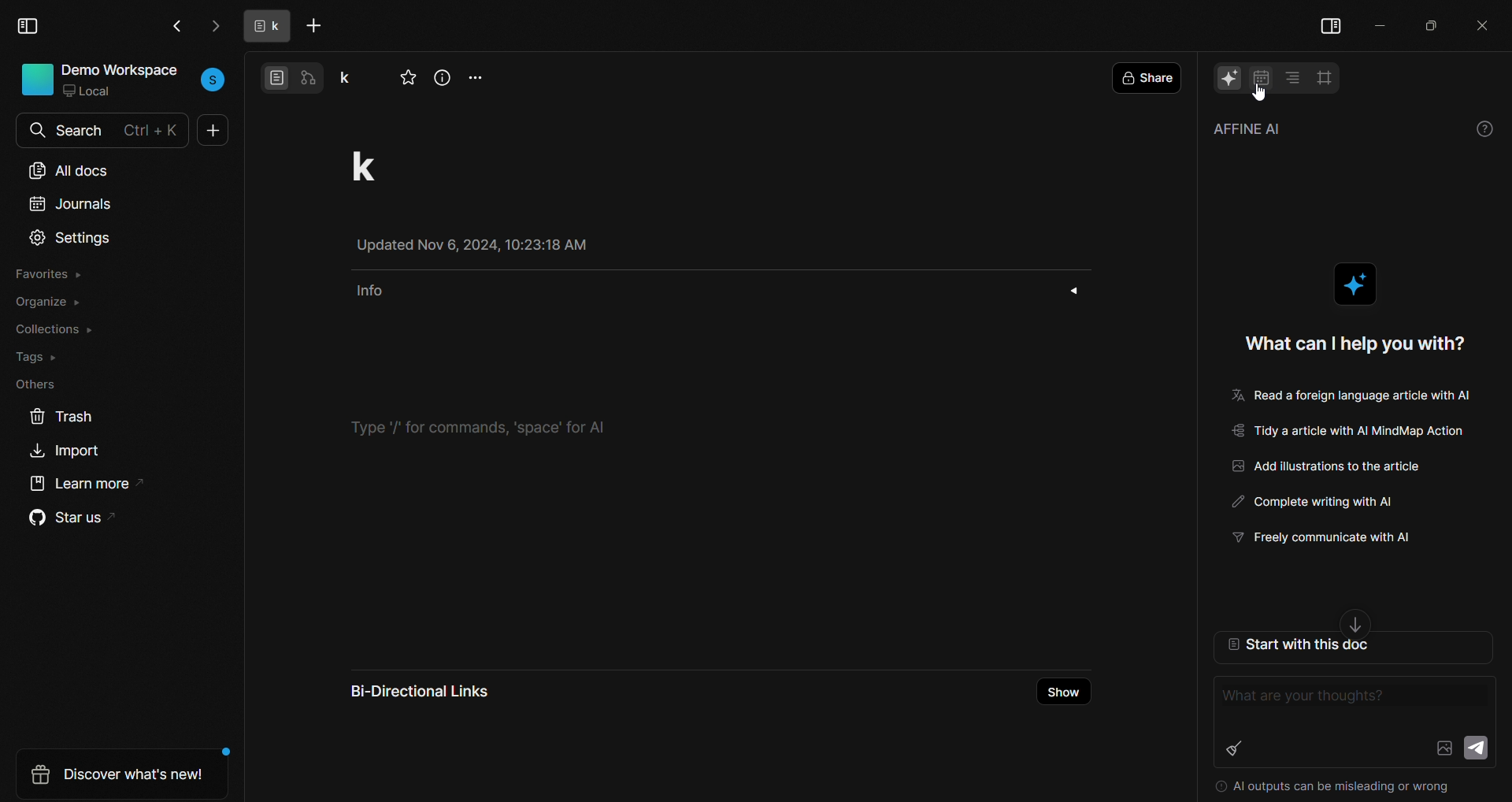 This screenshot has width=1512, height=802. Describe the element at coordinates (114, 774) in the screenshot. I see `discover whats new` at that location.